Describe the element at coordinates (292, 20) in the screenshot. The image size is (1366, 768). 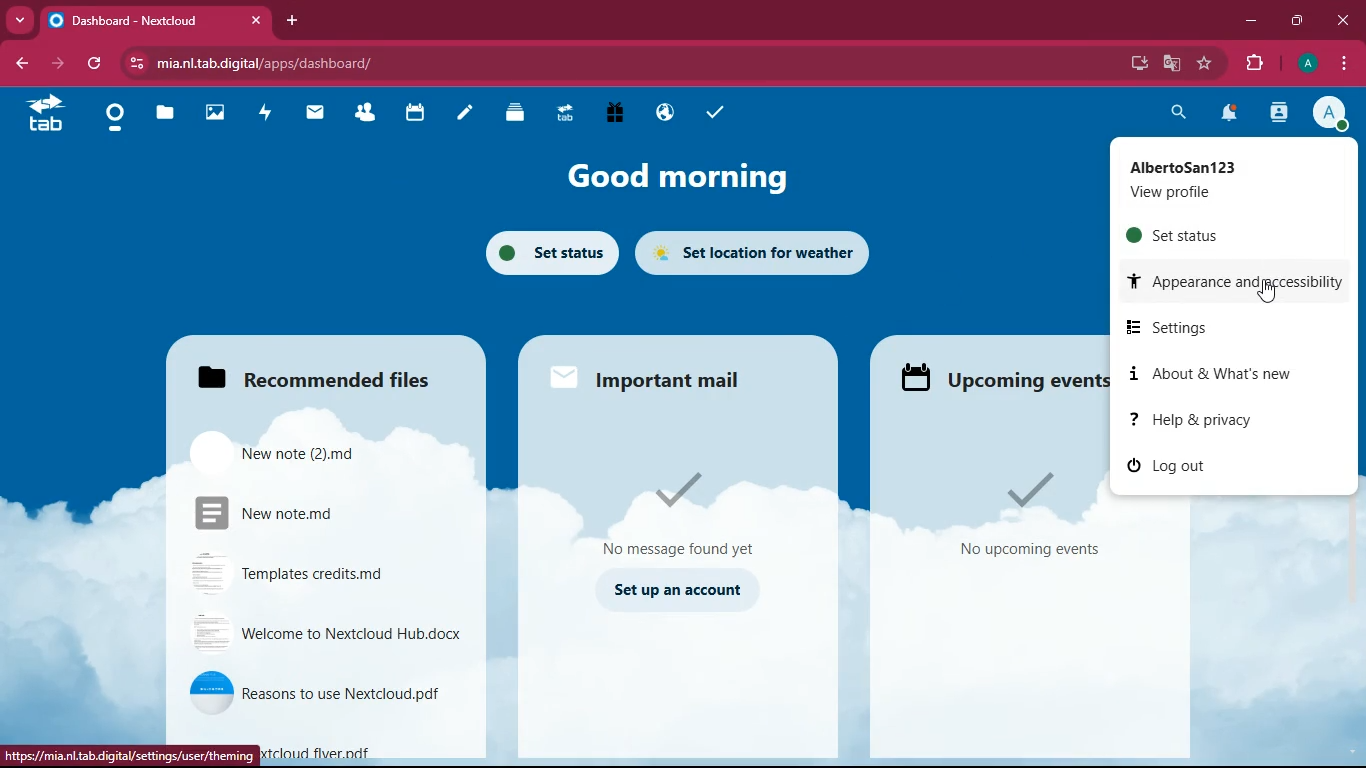
I see `add tab` at that location.